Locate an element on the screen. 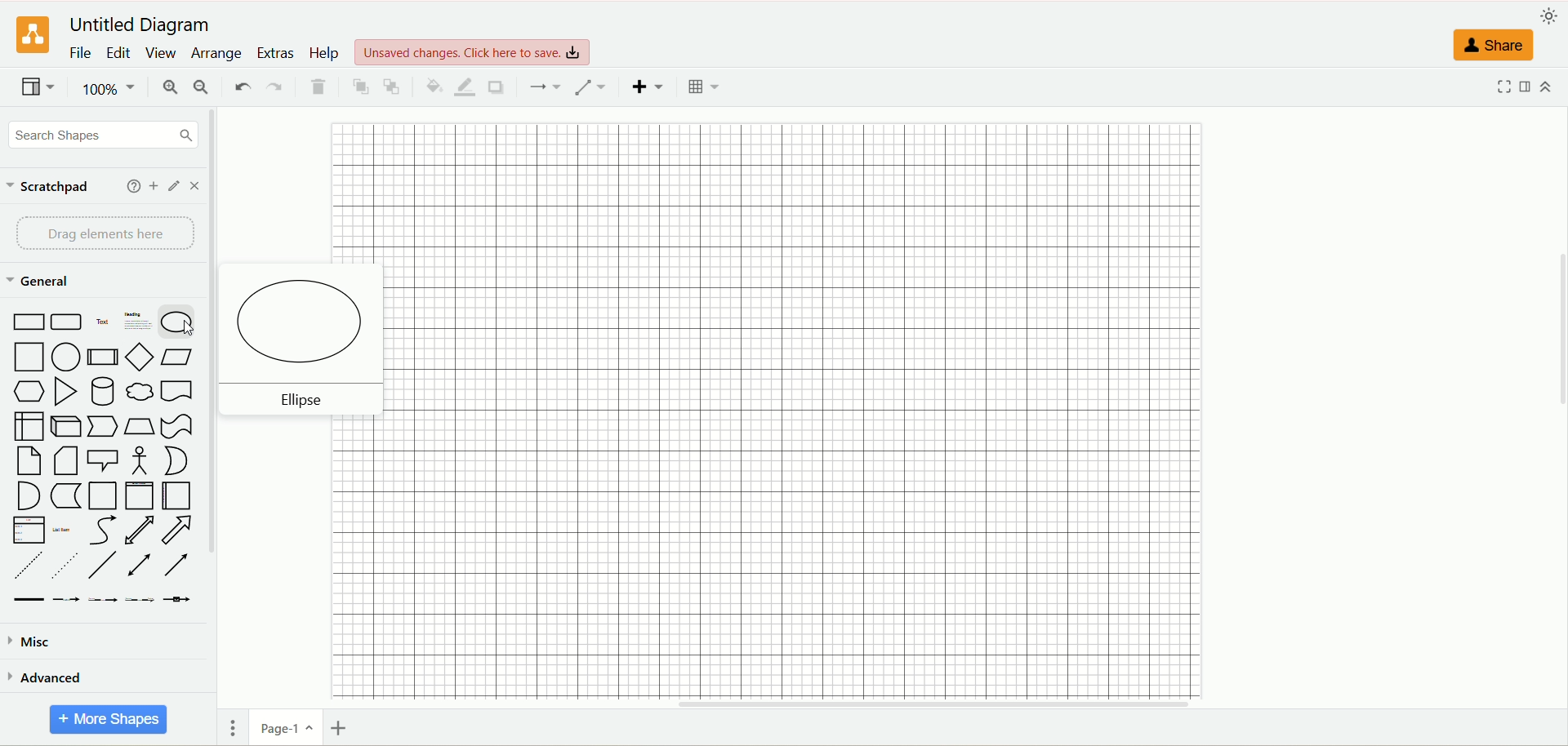  help is located at coordinates (323, 55).